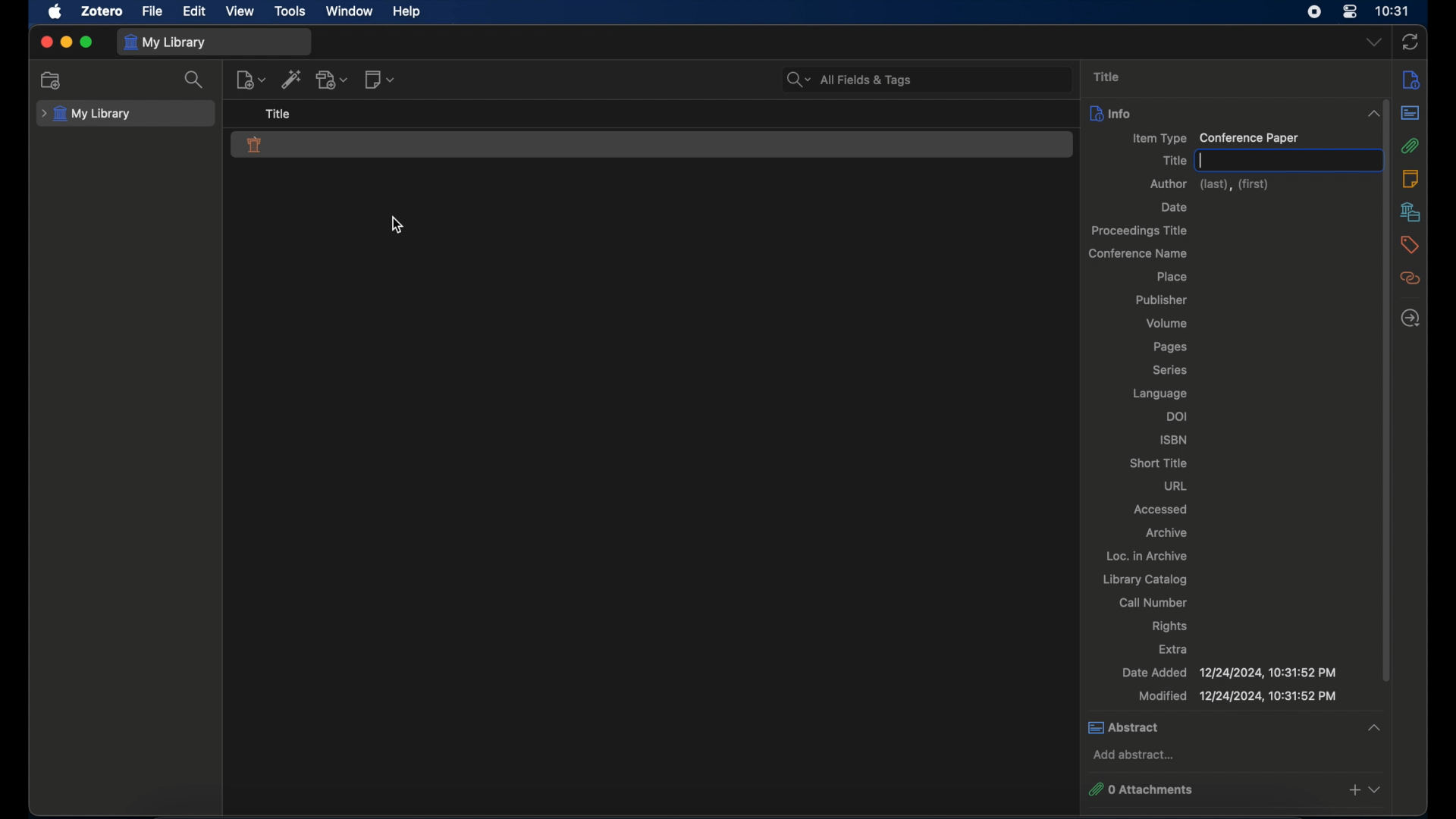  What do you see at coordinates (1137, 254) in the screenshot?
I see `conference name` at bounding box center [1137, 254].